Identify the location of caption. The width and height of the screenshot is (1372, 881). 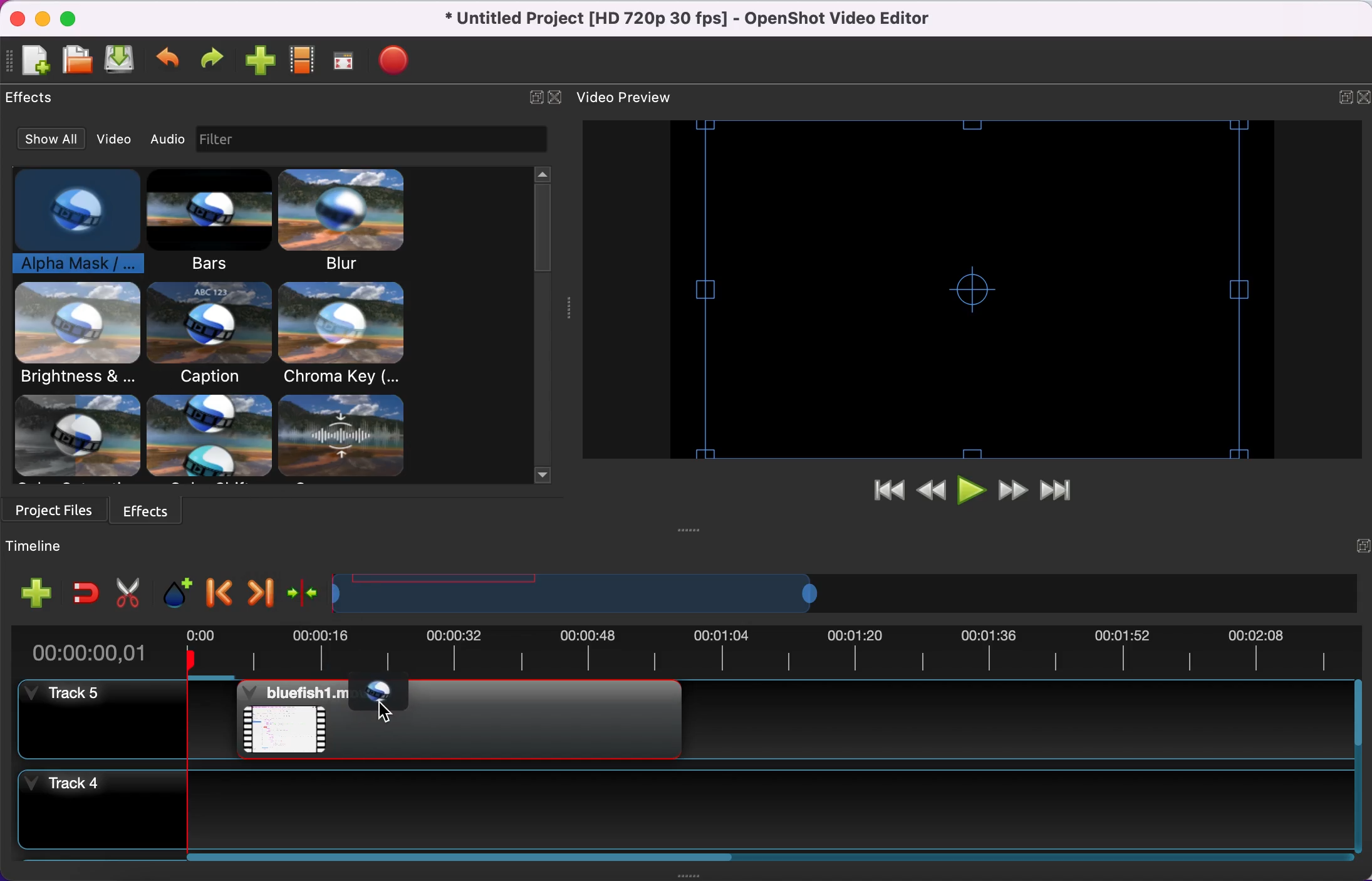
(207, 335).